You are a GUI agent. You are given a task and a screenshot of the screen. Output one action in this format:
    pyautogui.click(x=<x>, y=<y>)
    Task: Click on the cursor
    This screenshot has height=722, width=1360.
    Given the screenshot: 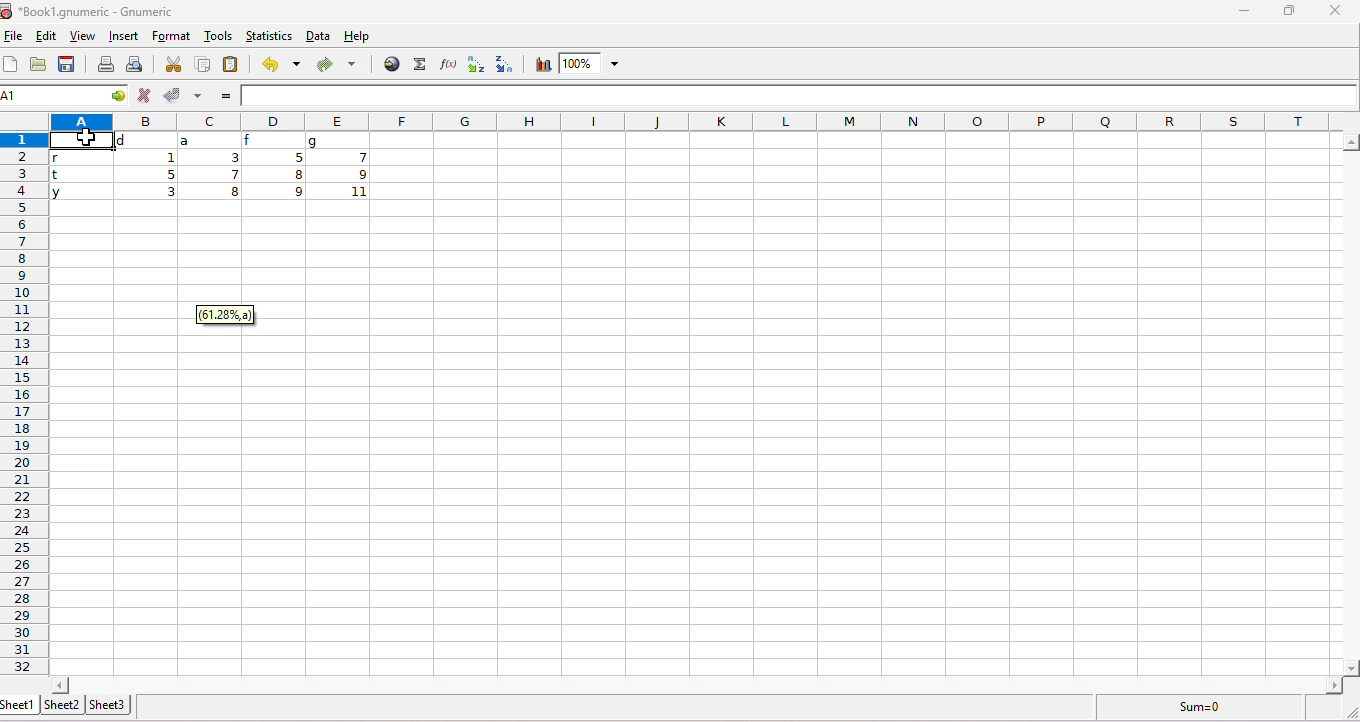 What is the action you would take?
    pyautogui.click(x=87, y=138)
    